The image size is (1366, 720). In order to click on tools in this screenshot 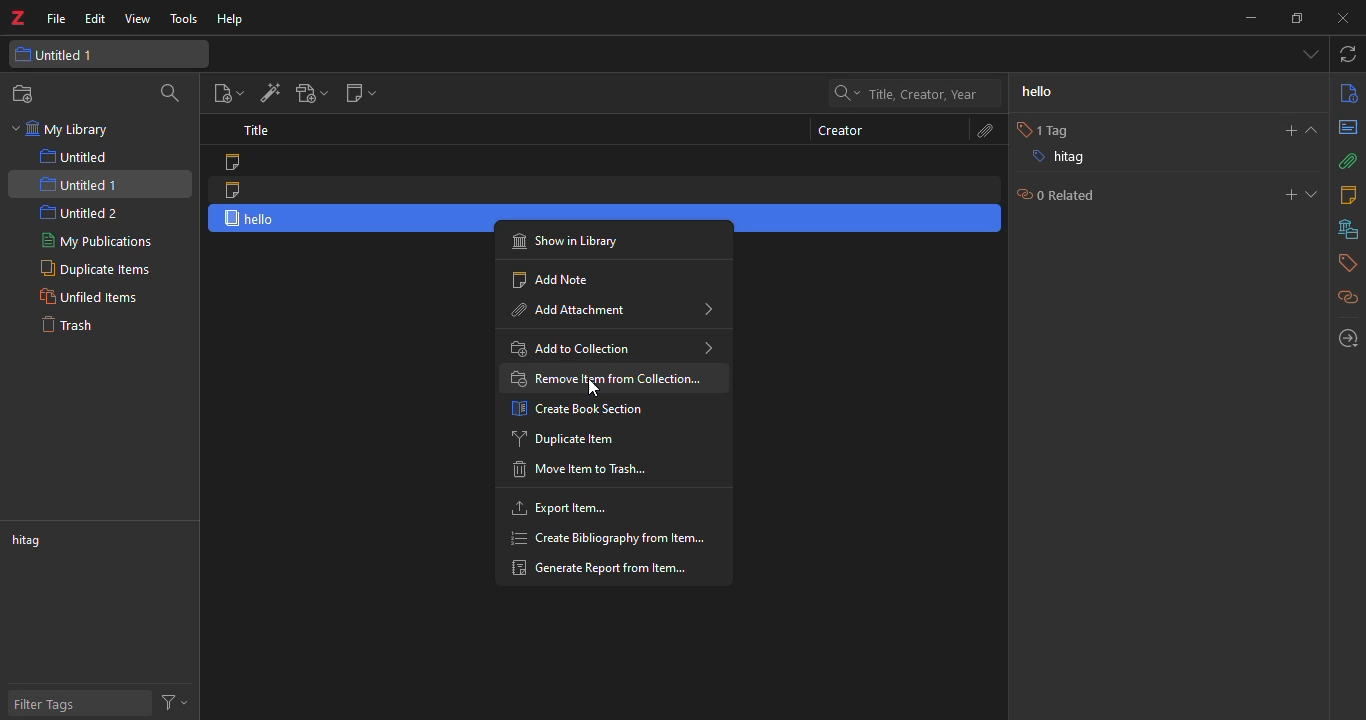, I will do `click(179, 18)`.